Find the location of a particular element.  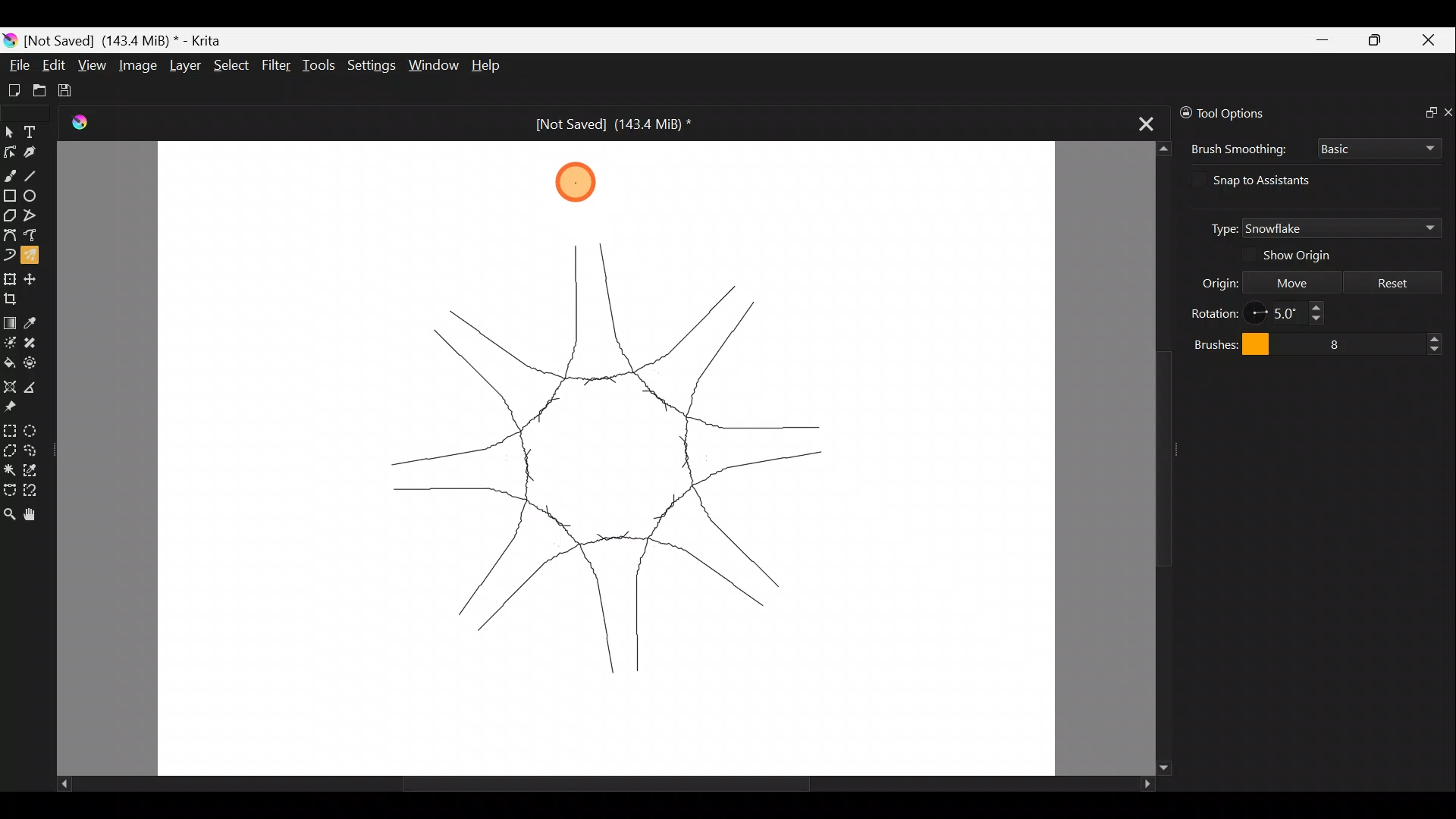

Measure the distance between two points is located at coordinates (36, 385).